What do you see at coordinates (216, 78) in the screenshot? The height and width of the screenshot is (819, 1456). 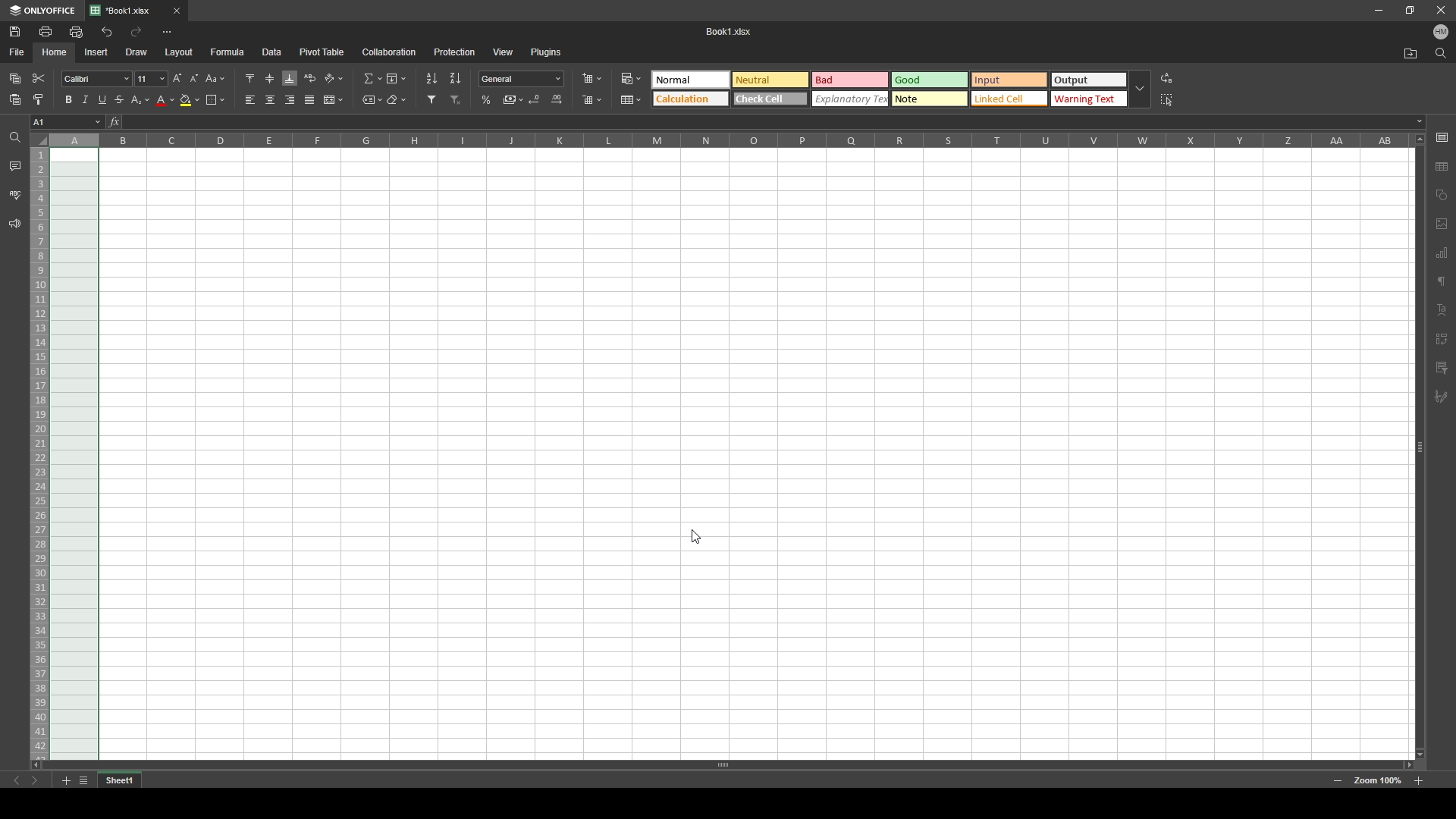 I see `change case` at bounding box center [216, 78].